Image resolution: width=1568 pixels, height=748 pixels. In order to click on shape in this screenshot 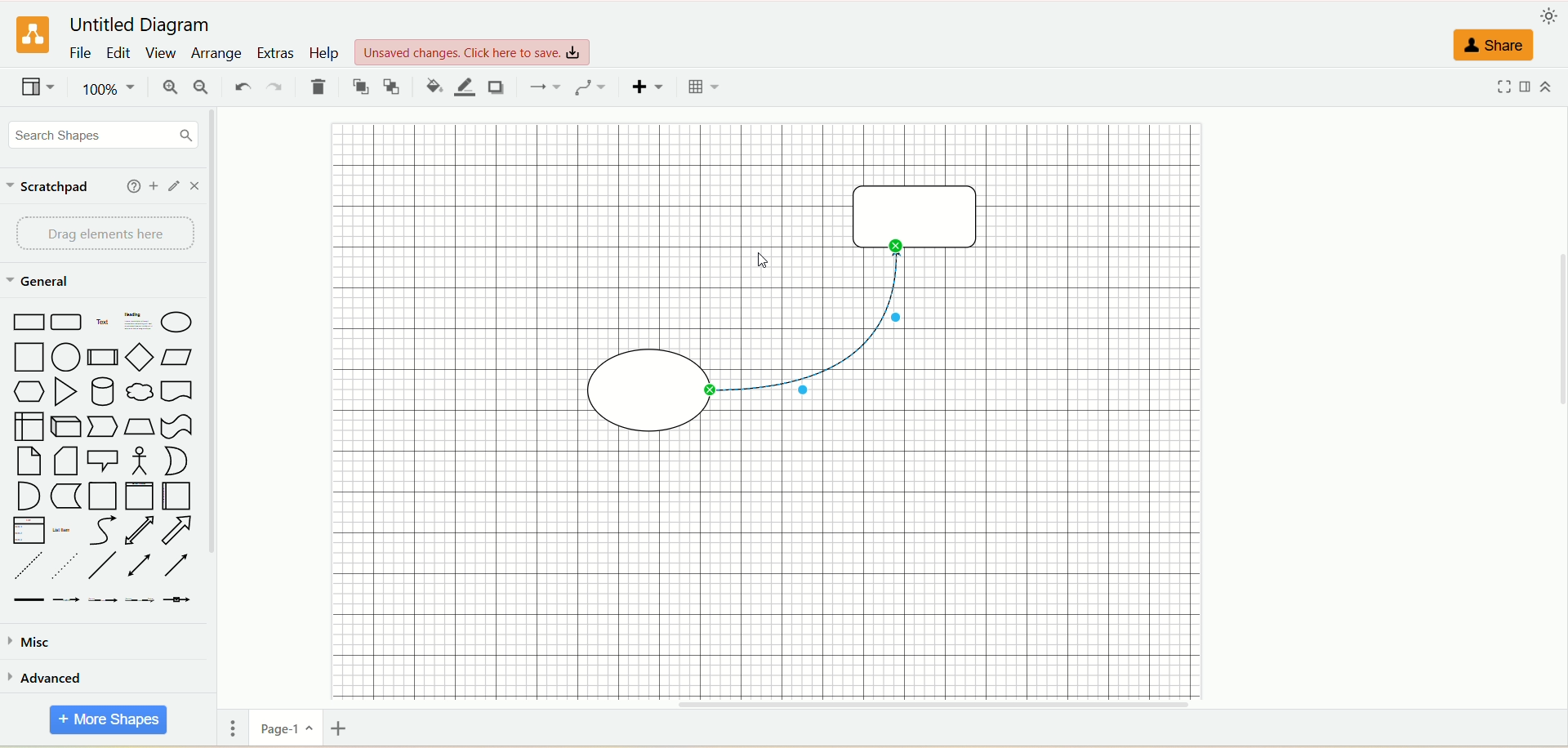, I will do `click(908, 213)`.